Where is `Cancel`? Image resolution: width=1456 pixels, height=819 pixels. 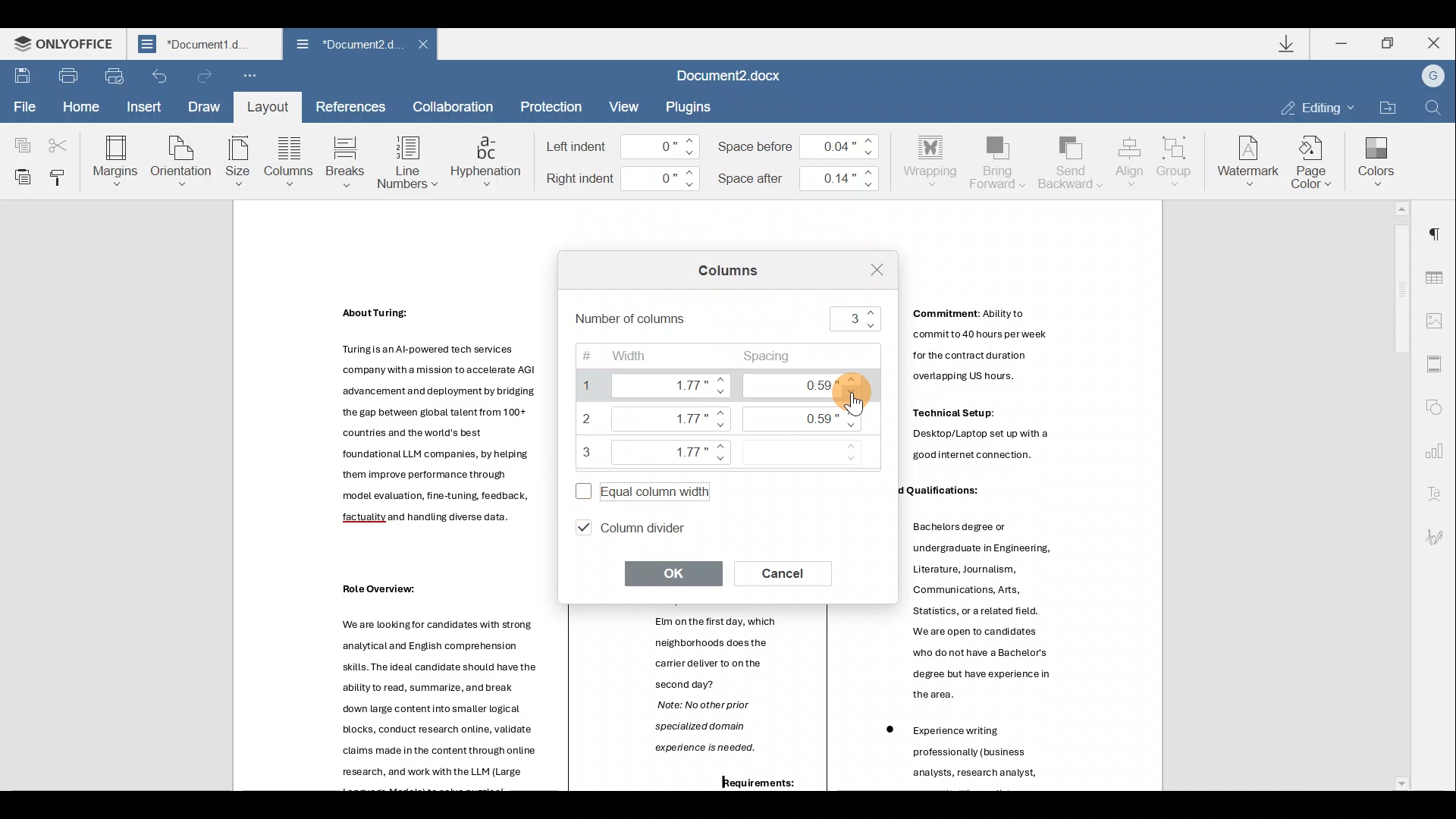 Cancel is located at coordinates (791, 572).